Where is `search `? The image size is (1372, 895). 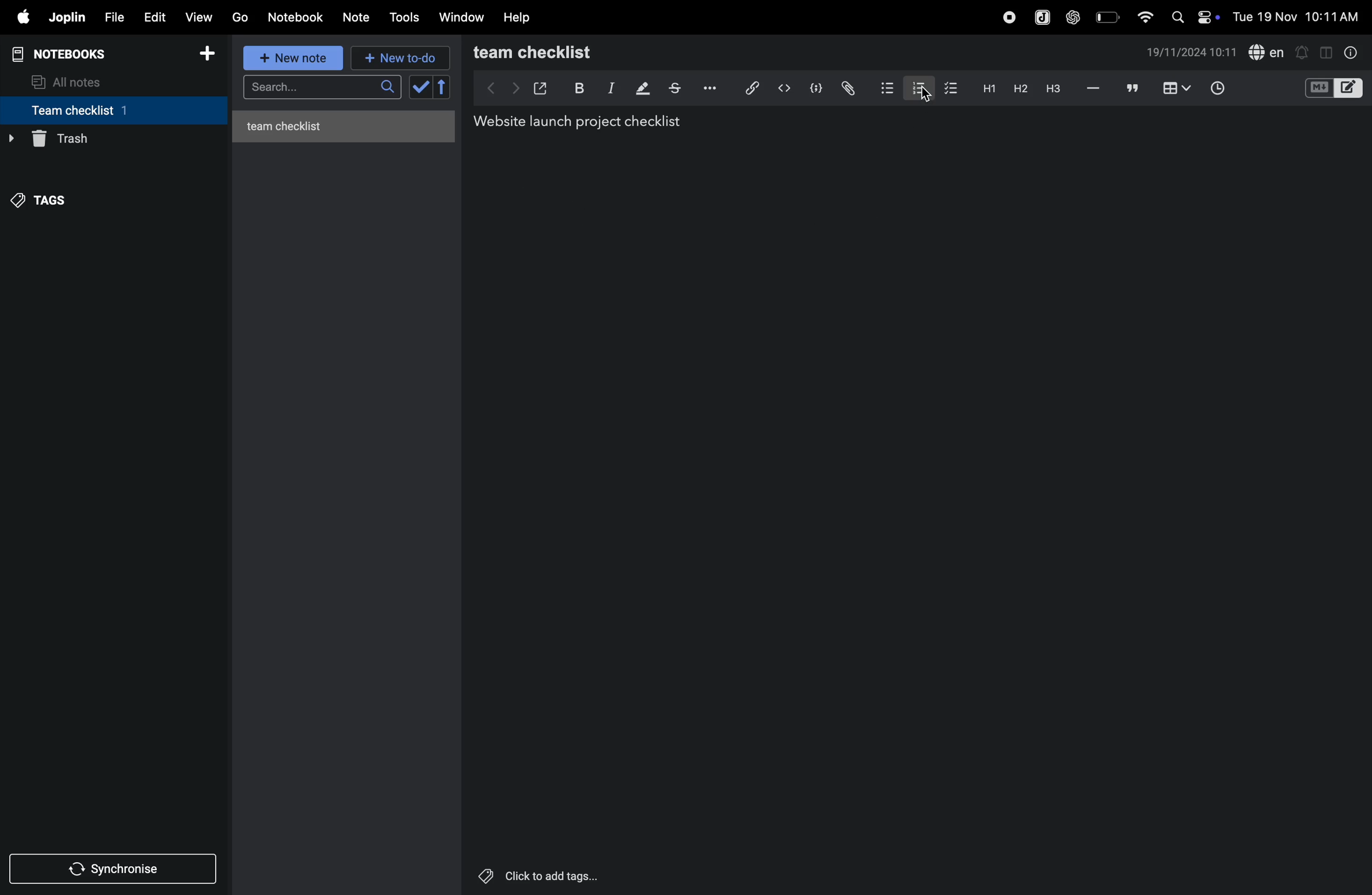 search  is located at coordinates (320, 89).